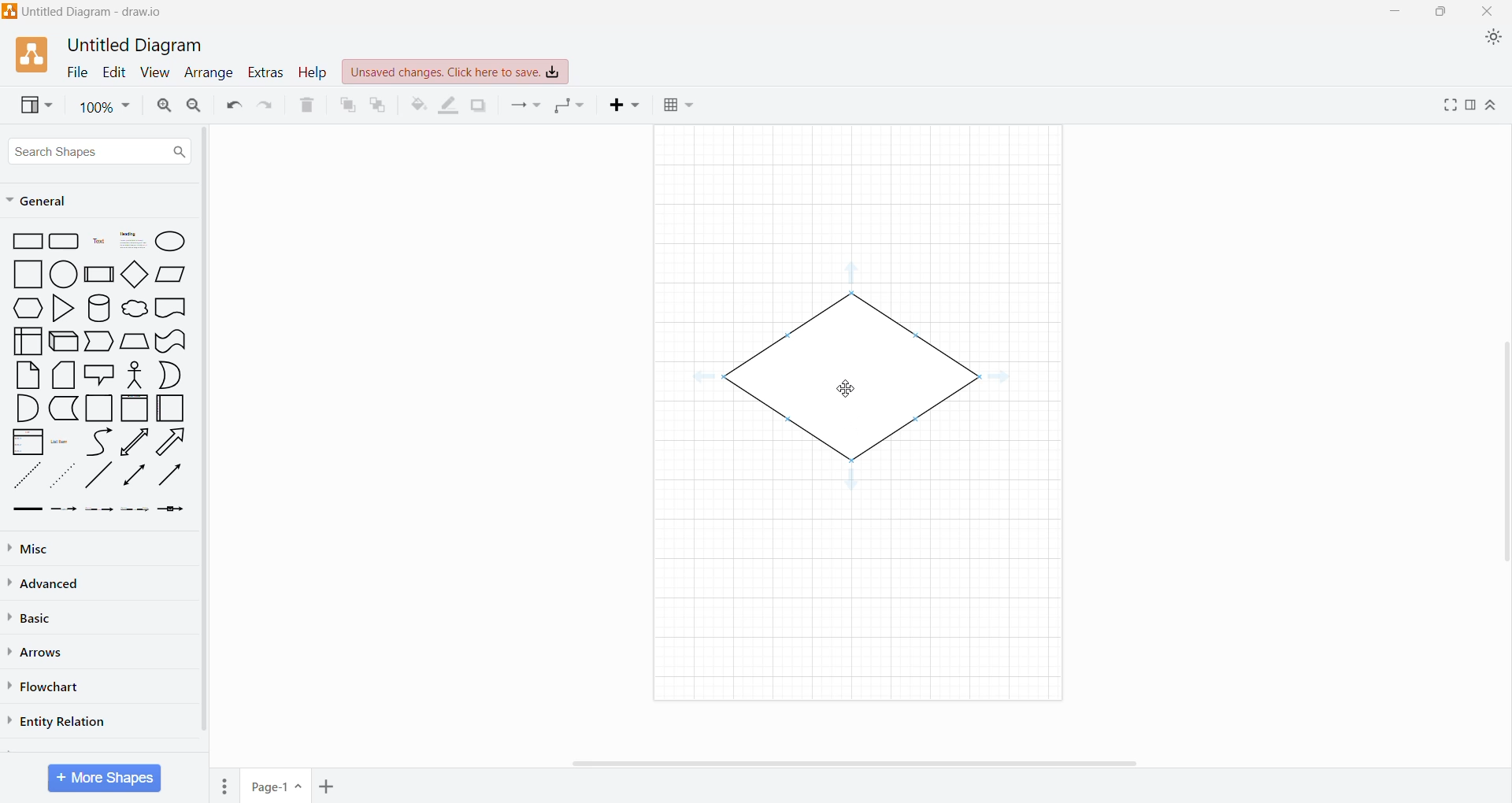 The width and height of the screenshot is (1512, 803). I want to click on Help, so click(313, 73).